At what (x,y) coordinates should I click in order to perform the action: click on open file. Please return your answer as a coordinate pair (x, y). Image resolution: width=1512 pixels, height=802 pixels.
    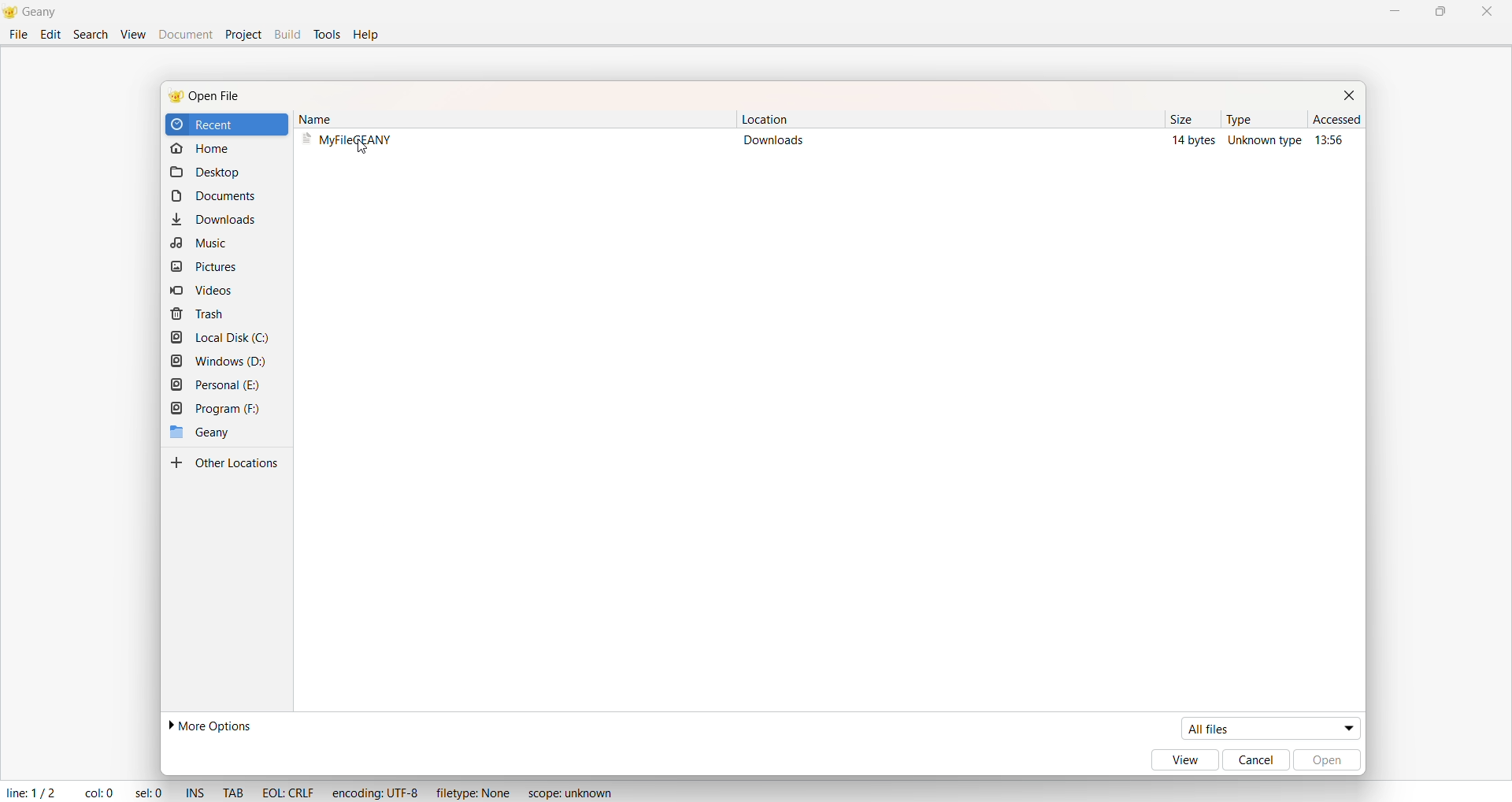
    Looking at the image, I should click on (219, 97).